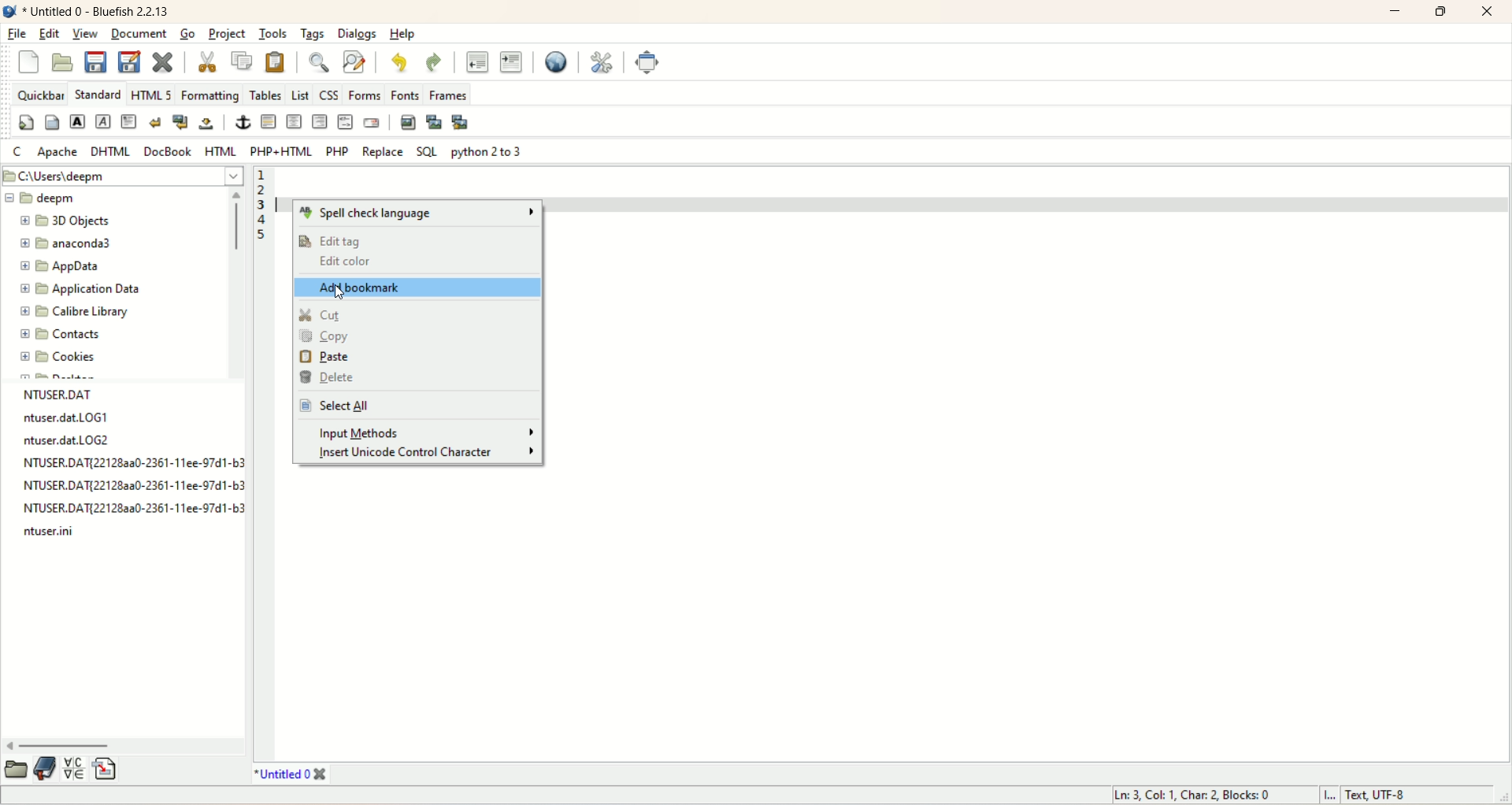 The height and width of the screenshot is (805, 1512). What do you see at coordinates (329, 242) in the screenshot?
I see `edit tag` at bounding box center [329, 242].